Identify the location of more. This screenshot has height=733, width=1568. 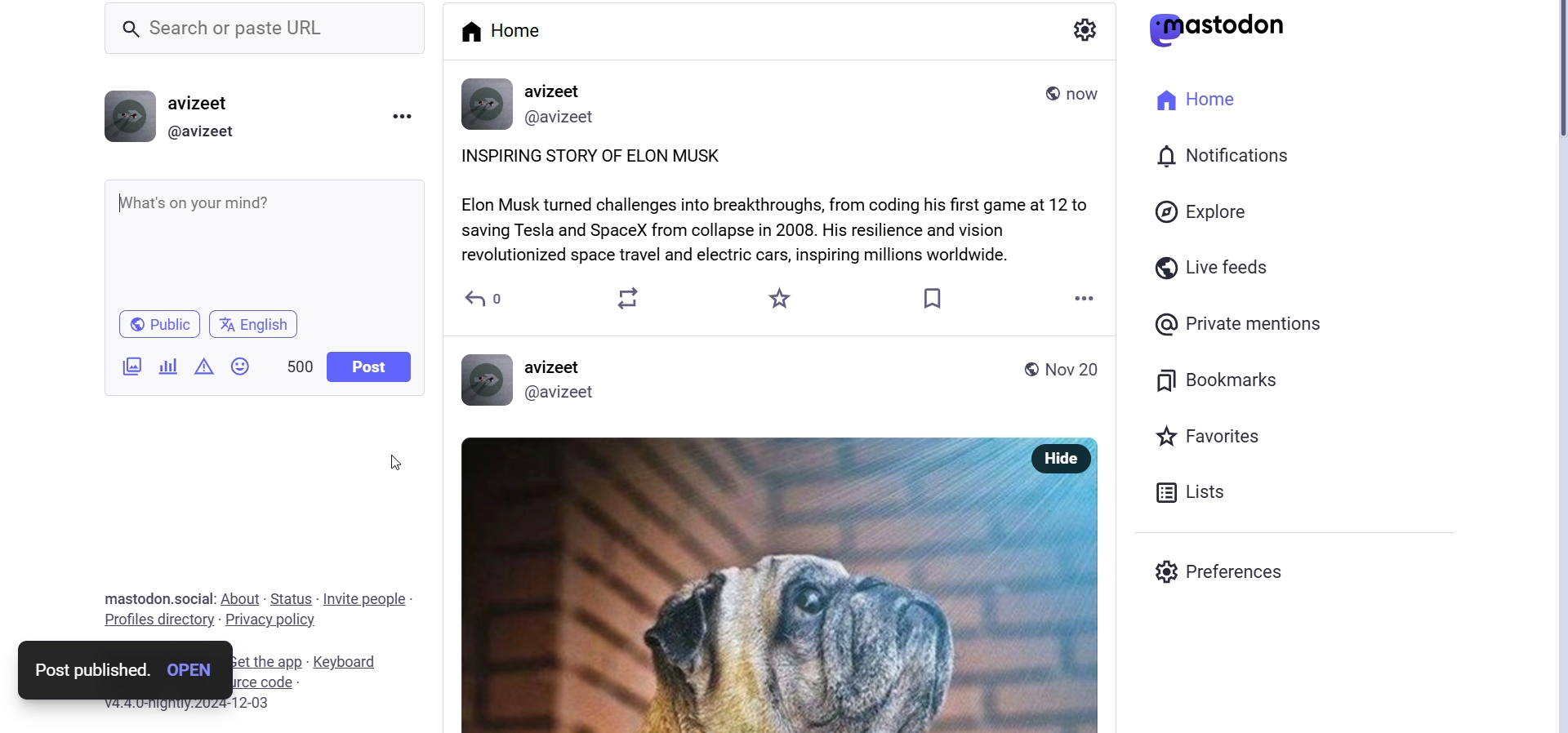
(1085, 295).